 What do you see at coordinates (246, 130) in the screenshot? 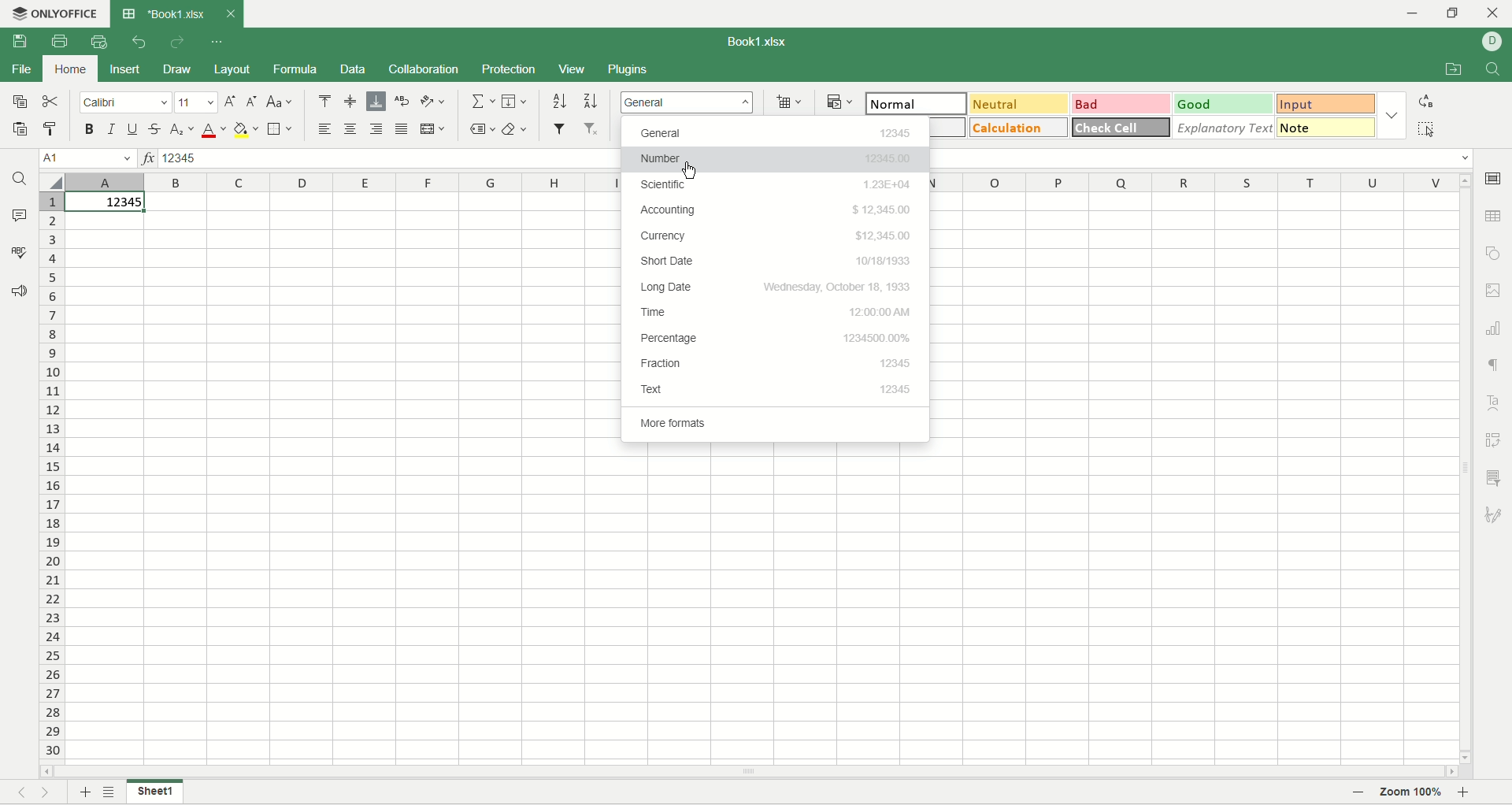
I see `background color` at bounding box center [246, 130].